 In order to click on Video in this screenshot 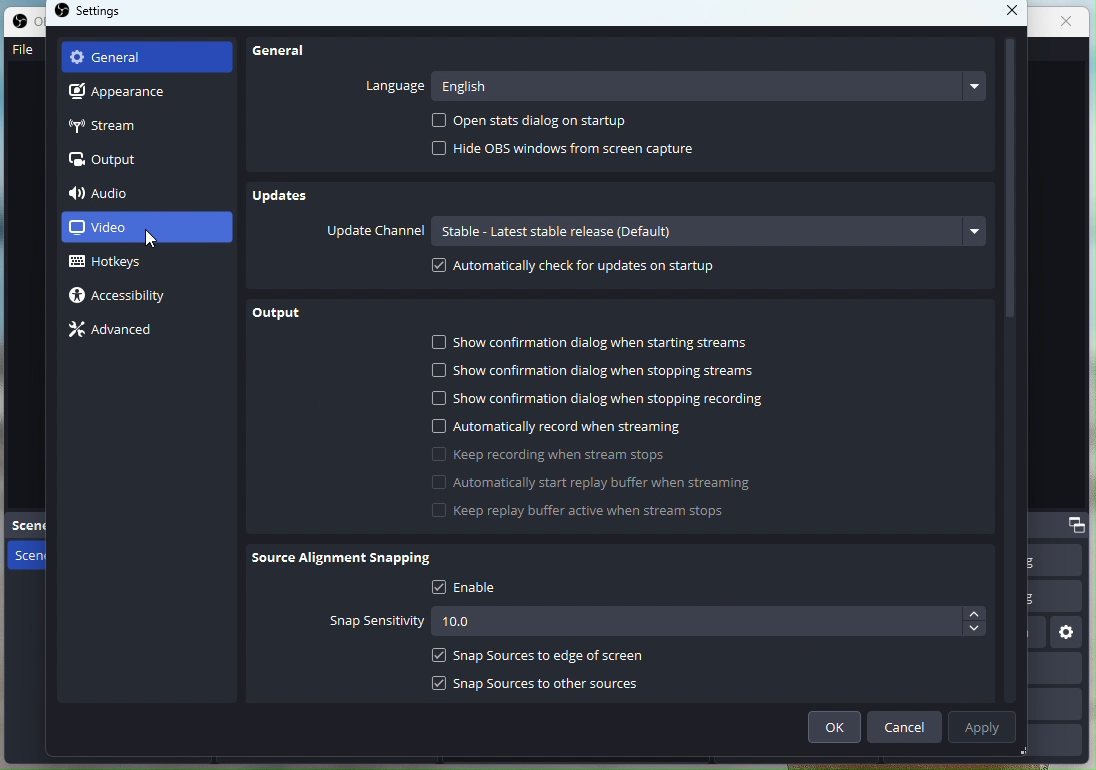, I will do `click(146, 230)`.